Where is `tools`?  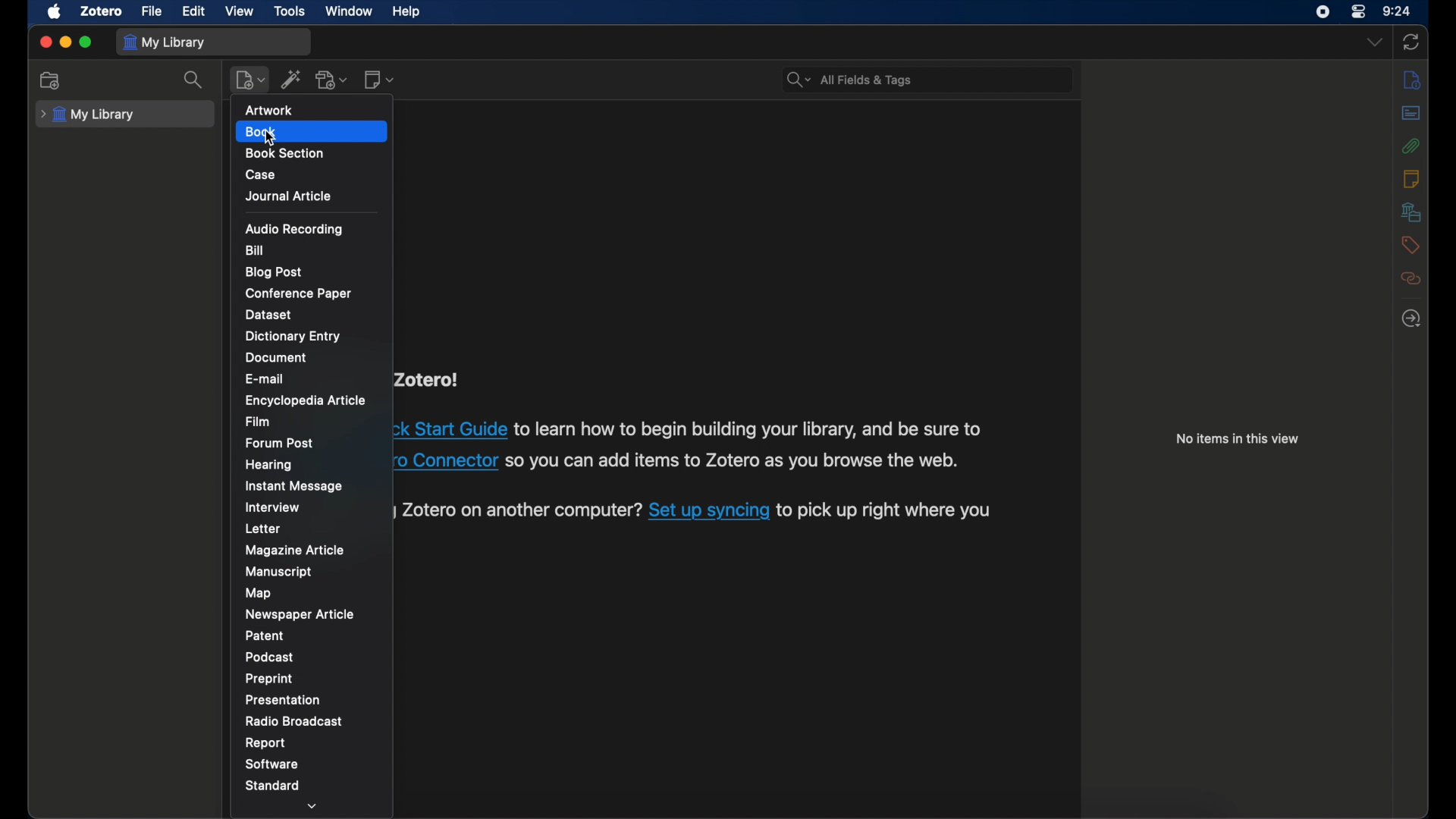 tools is located at coordinates (290, 11).